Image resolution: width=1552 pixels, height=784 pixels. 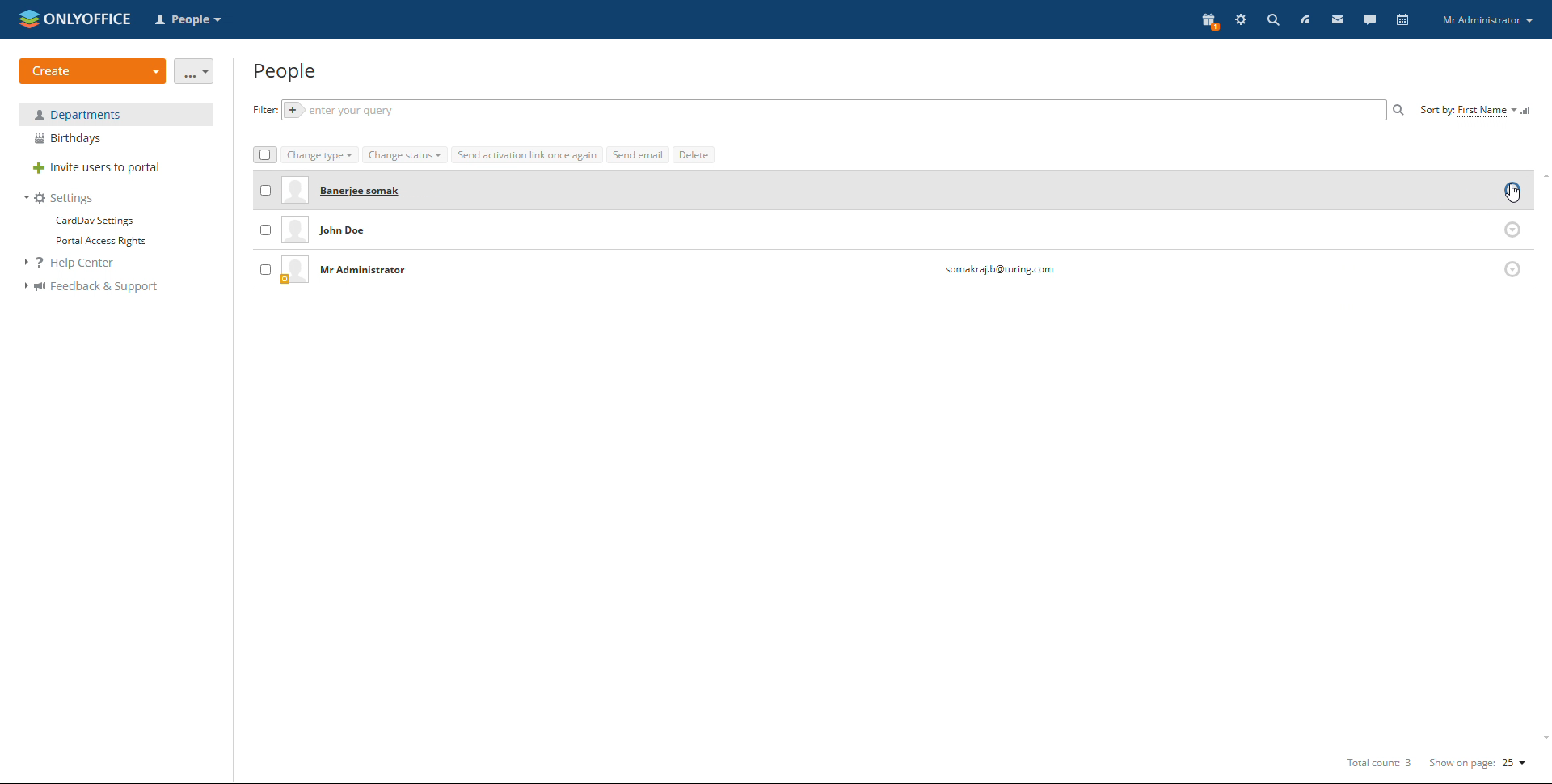 I want to click on actions, so click(x=1513, y=229).